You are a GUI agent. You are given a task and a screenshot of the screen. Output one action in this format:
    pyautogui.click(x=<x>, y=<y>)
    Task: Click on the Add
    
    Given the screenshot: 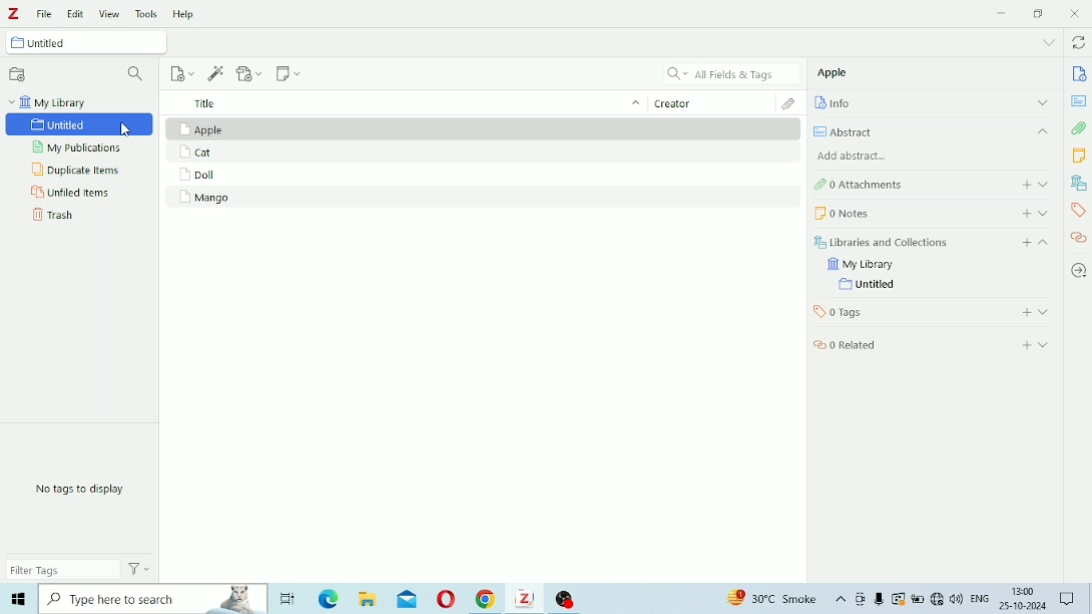 What is the action you would take?
    pyautogui.click(x=1026, y=185)
    